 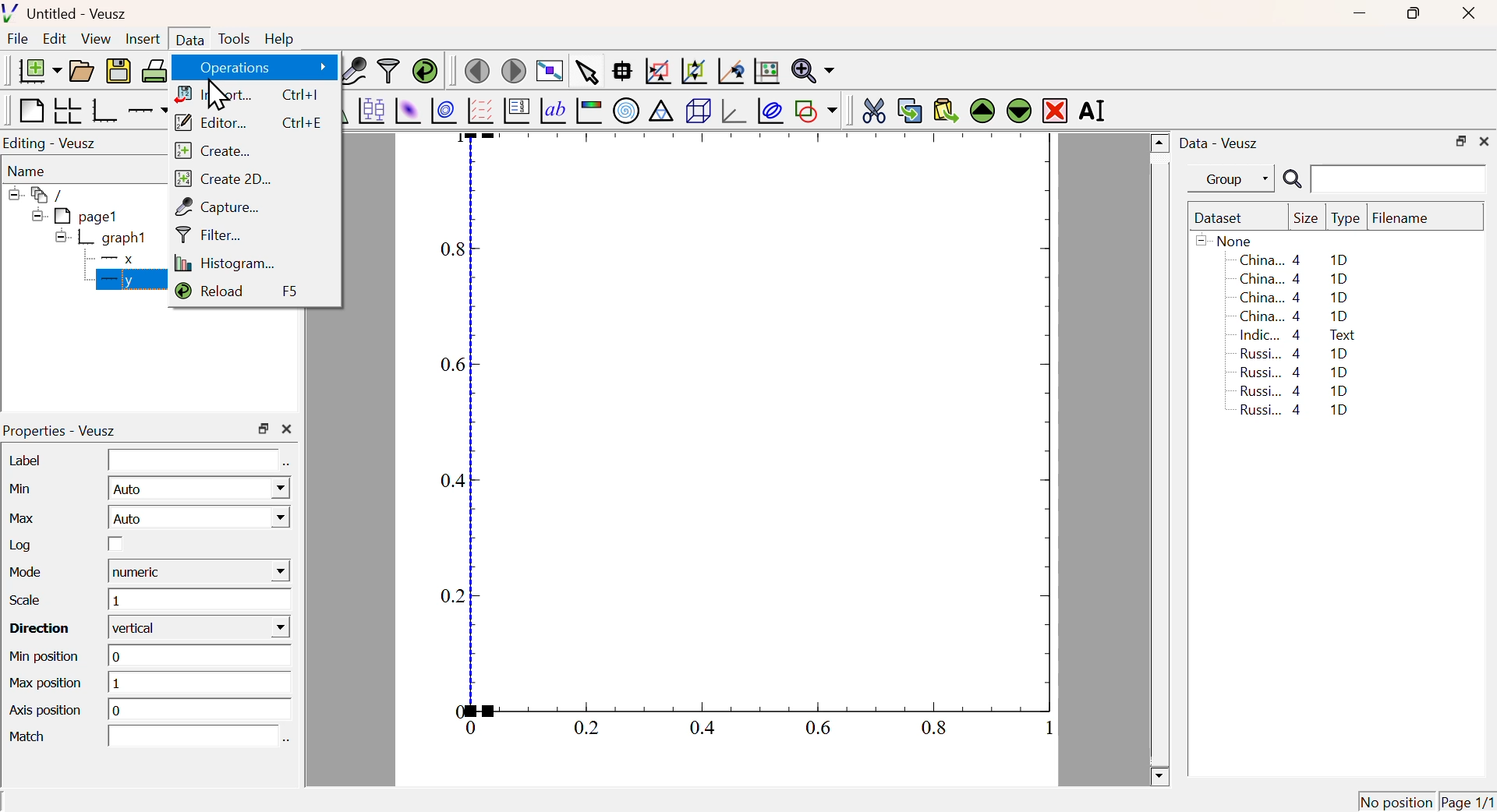 What do you see at coordinates (946, 110) in the screenshot?
I see `Paste from Clipboard` at bounding box center [946, 110].